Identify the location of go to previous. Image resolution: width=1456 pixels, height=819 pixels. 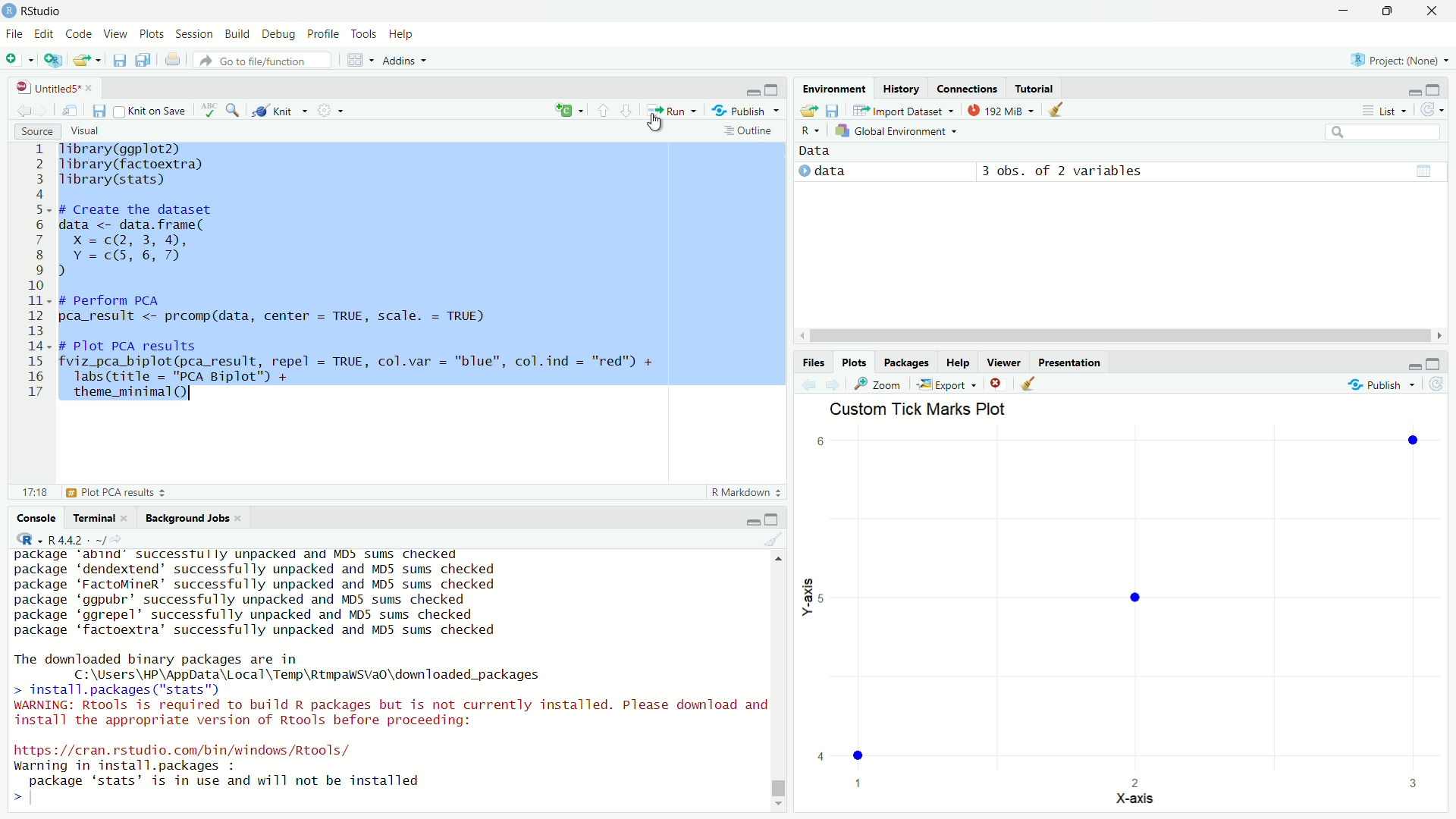
(603, 110).